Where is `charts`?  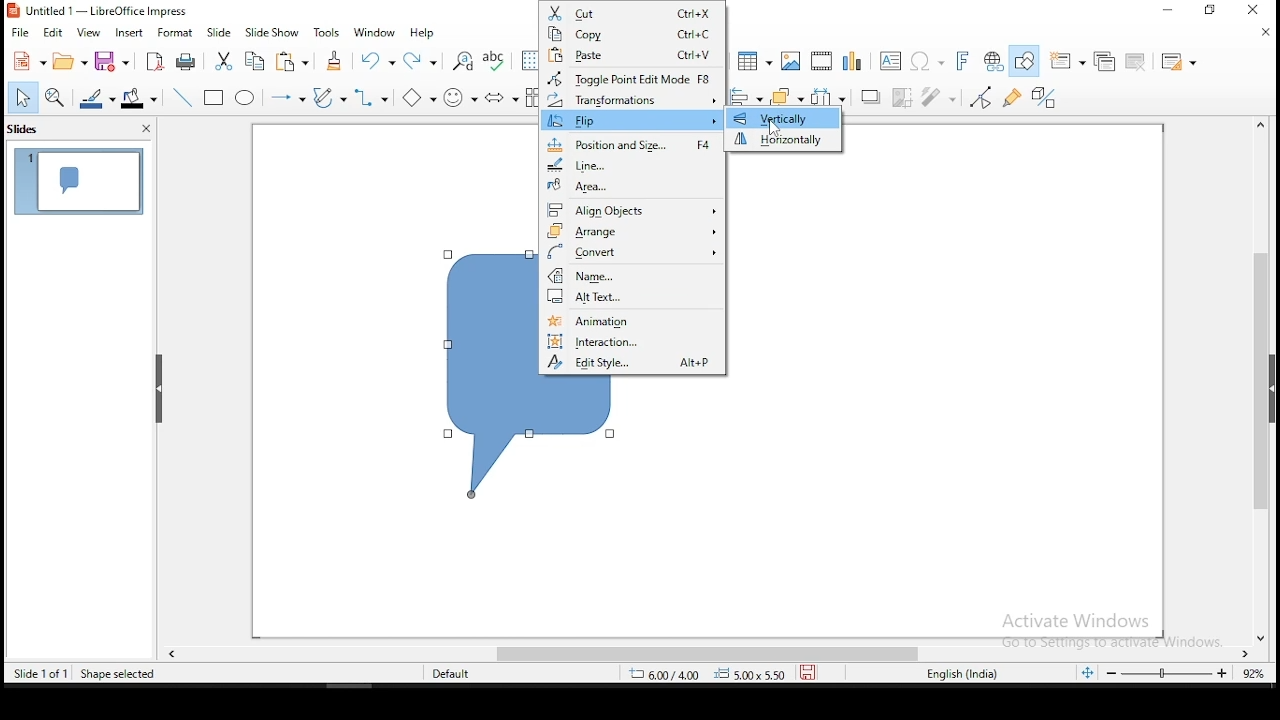
charts is located at coordinates (854, 60).